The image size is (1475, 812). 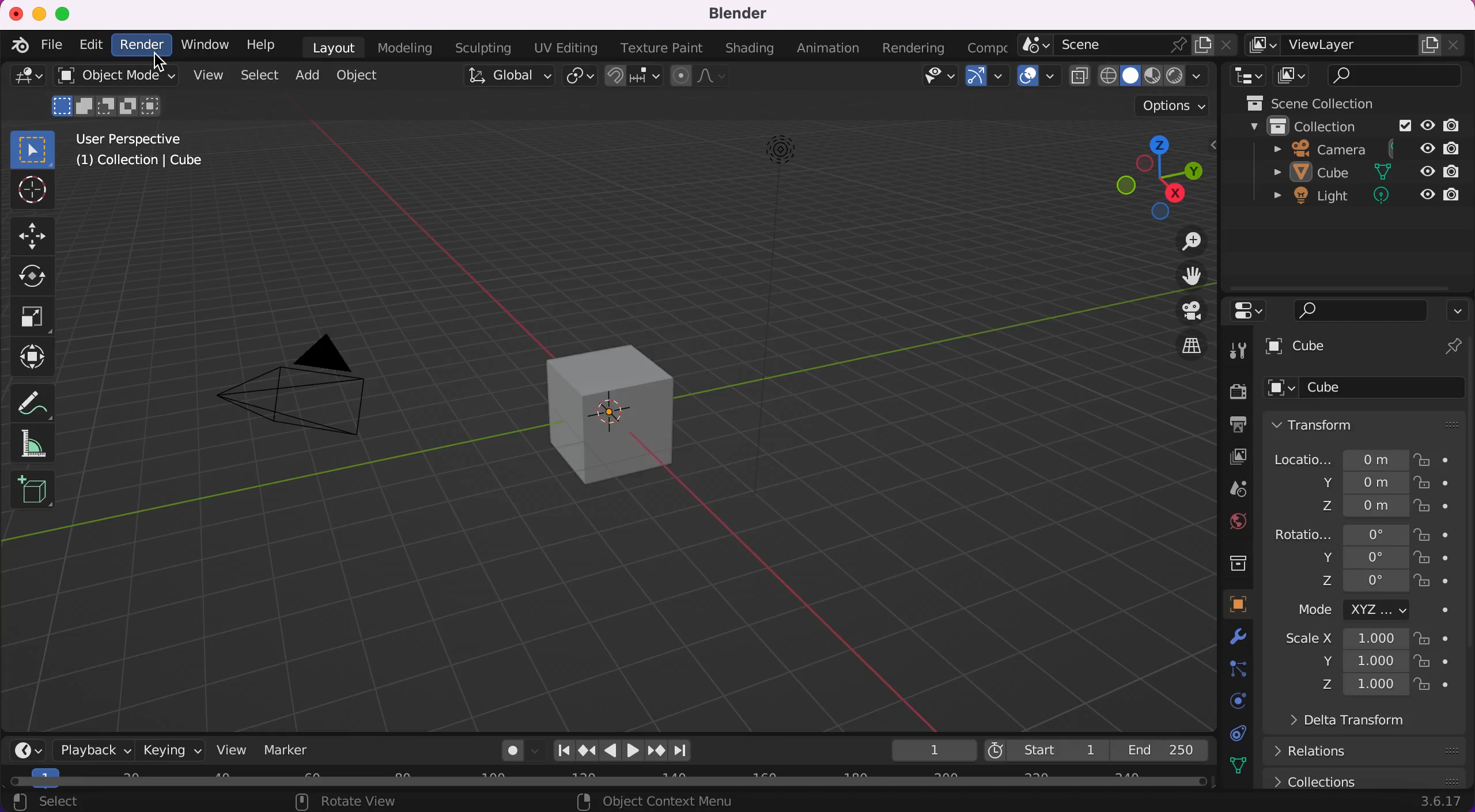 What do you see at coordinates (1047, 748) in the screenshot?
I see `start 1` at bounding box center [1047, 748].